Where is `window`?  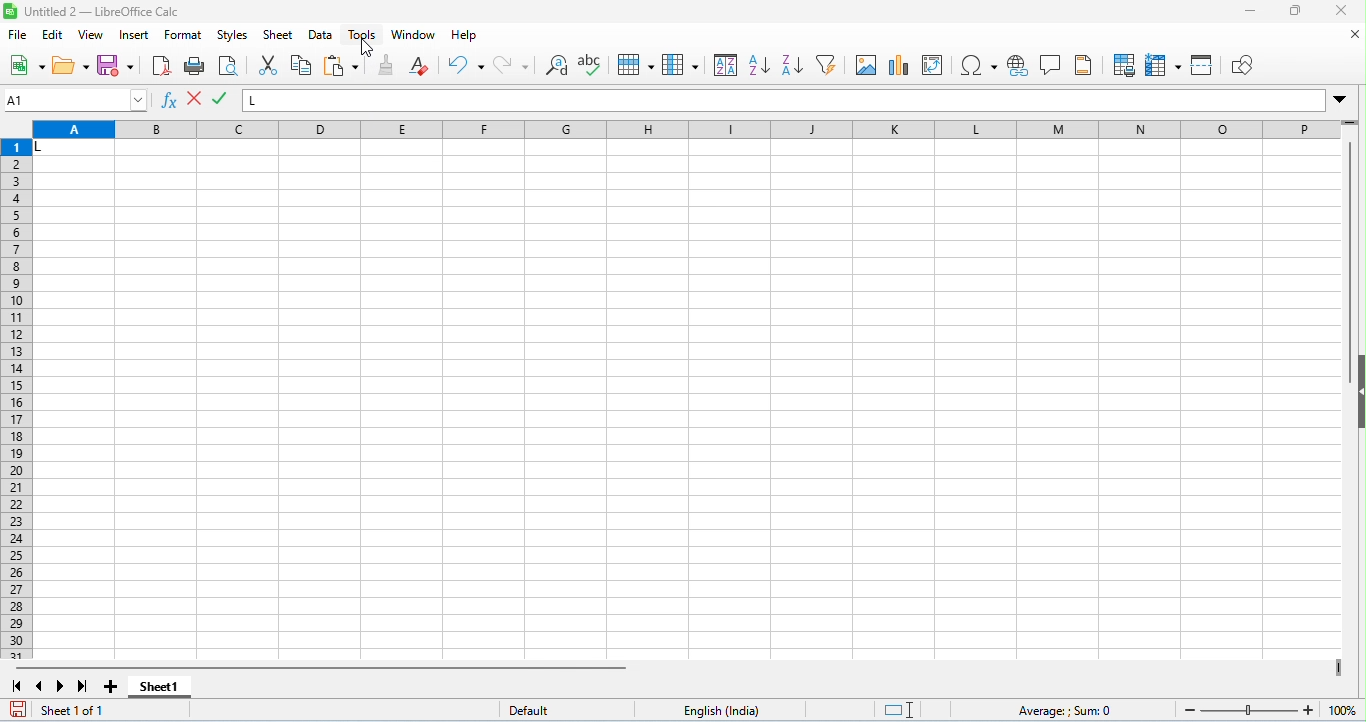 window is located at coordinates (412, 35).